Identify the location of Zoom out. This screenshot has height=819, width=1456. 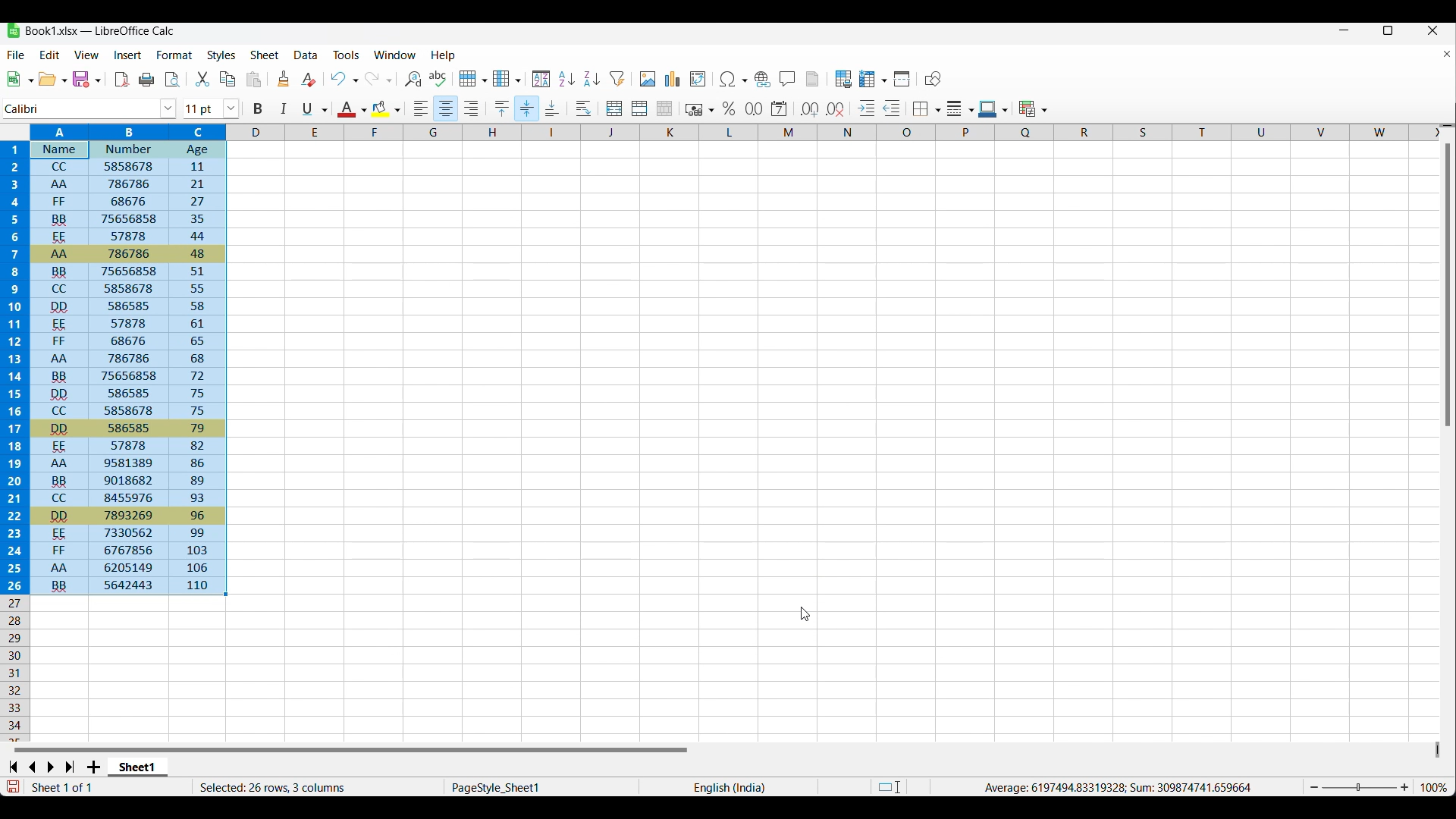
(1314, 787).